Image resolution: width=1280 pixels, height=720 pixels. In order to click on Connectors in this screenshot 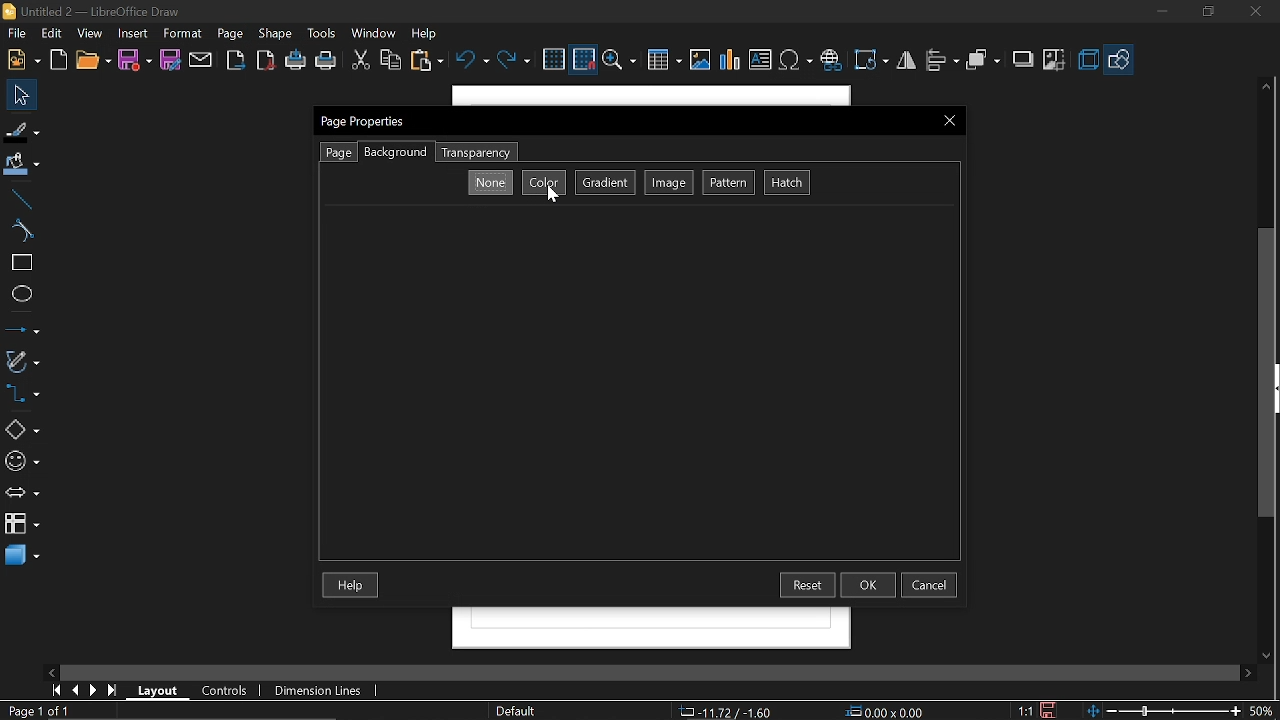, I will do `click(22, 393)`.